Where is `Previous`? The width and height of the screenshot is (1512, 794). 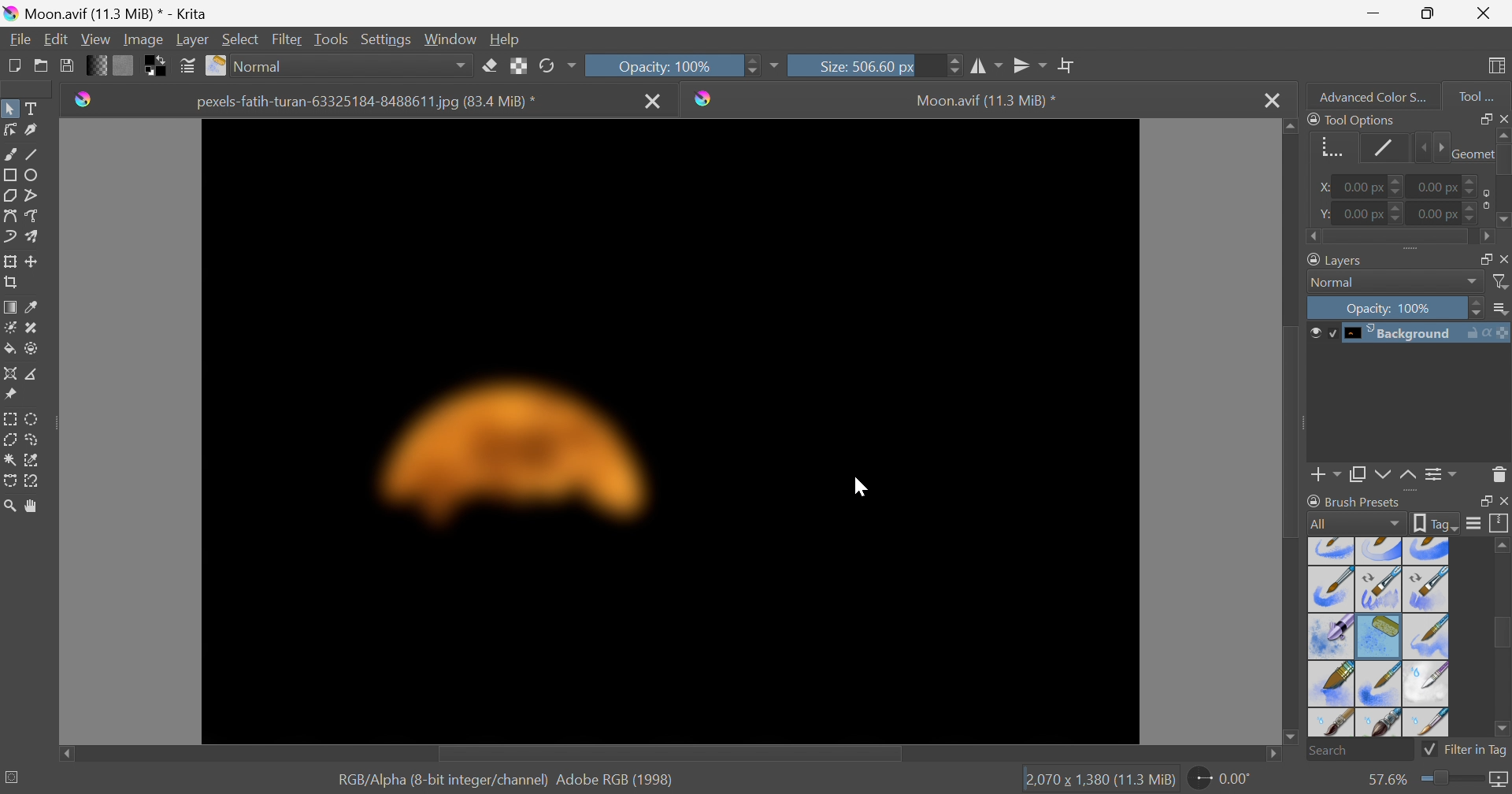
Previous is located at coordinates (1419, 148).